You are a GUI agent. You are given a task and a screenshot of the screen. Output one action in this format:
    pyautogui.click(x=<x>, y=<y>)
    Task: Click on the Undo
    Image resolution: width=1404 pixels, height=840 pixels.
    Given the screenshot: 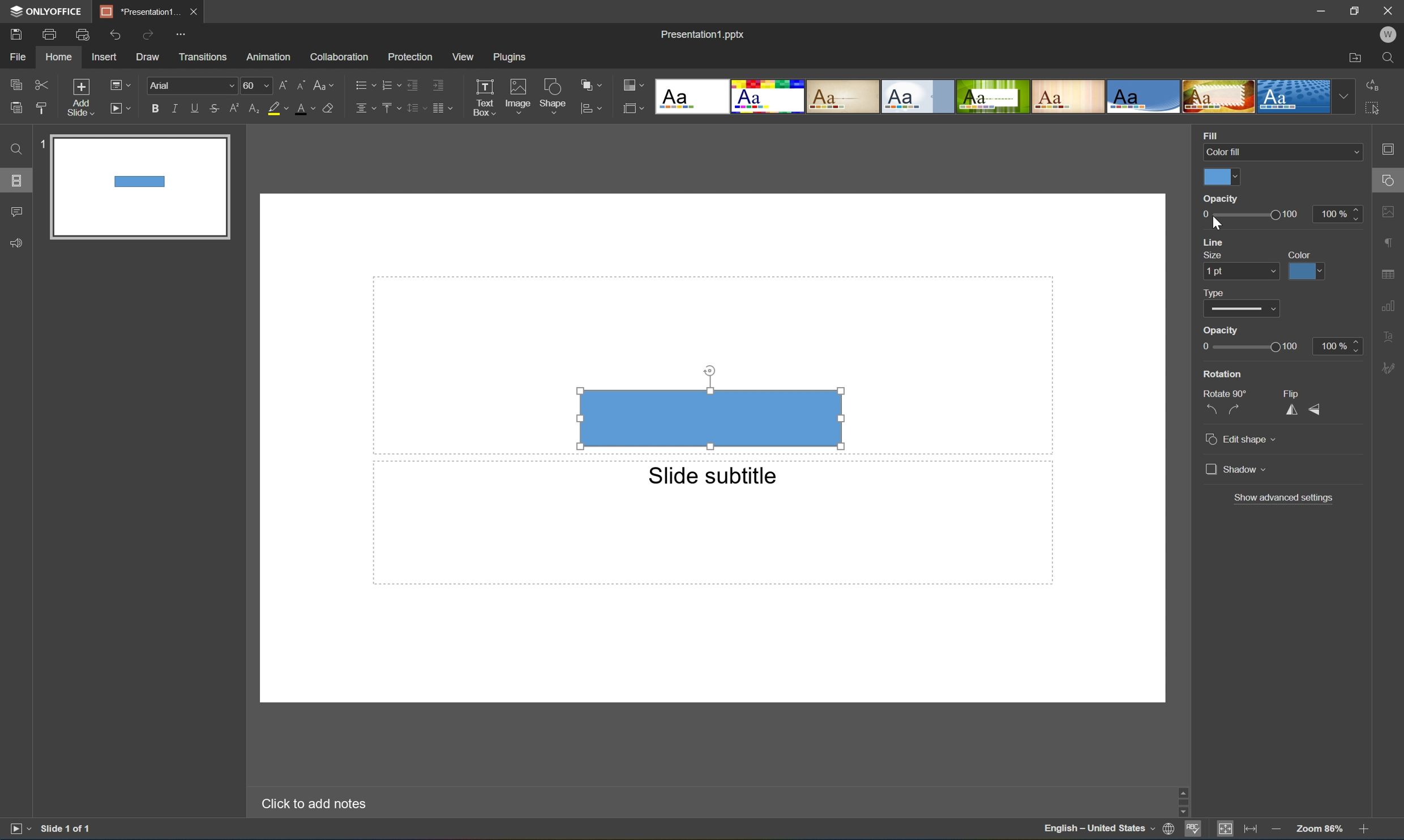 What is the action you would take?
    pyautogui.click(x=116, y=34)
    